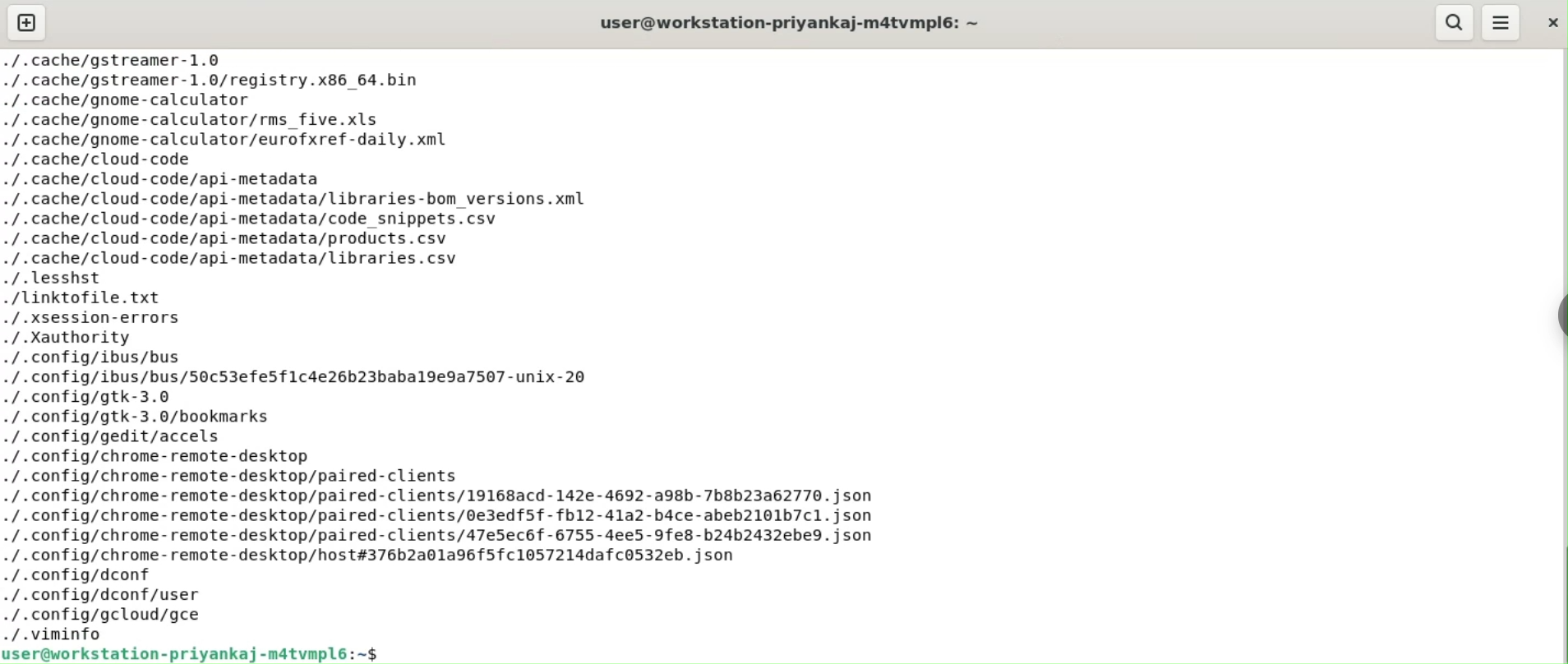 This screenshot has width=1568, height=664. Describe the element at coordinates (1502, 22) in the screenshot. I see `menu` at that location.